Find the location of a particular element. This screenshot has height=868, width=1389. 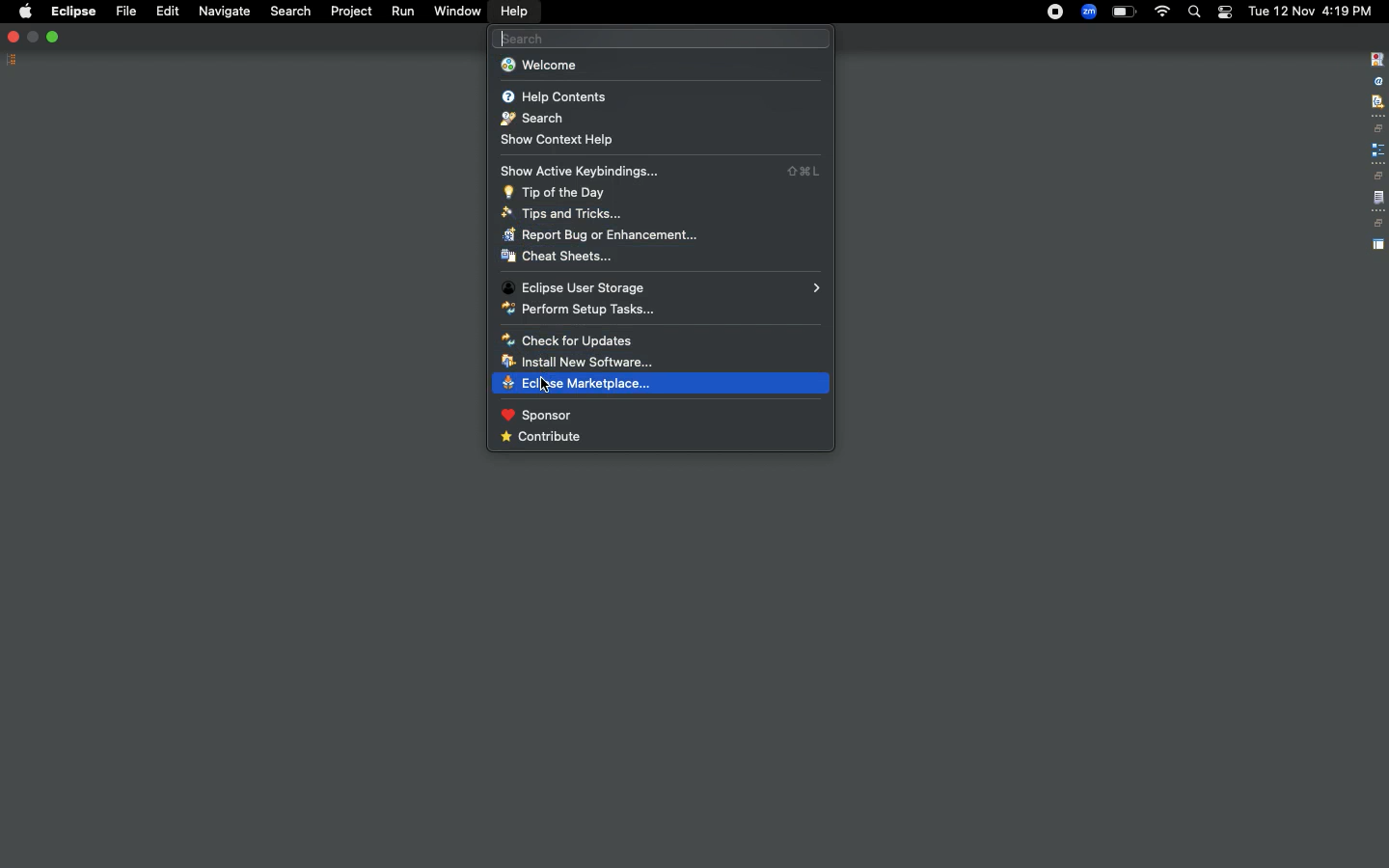

perspective is located at coordinates (1378, 245).